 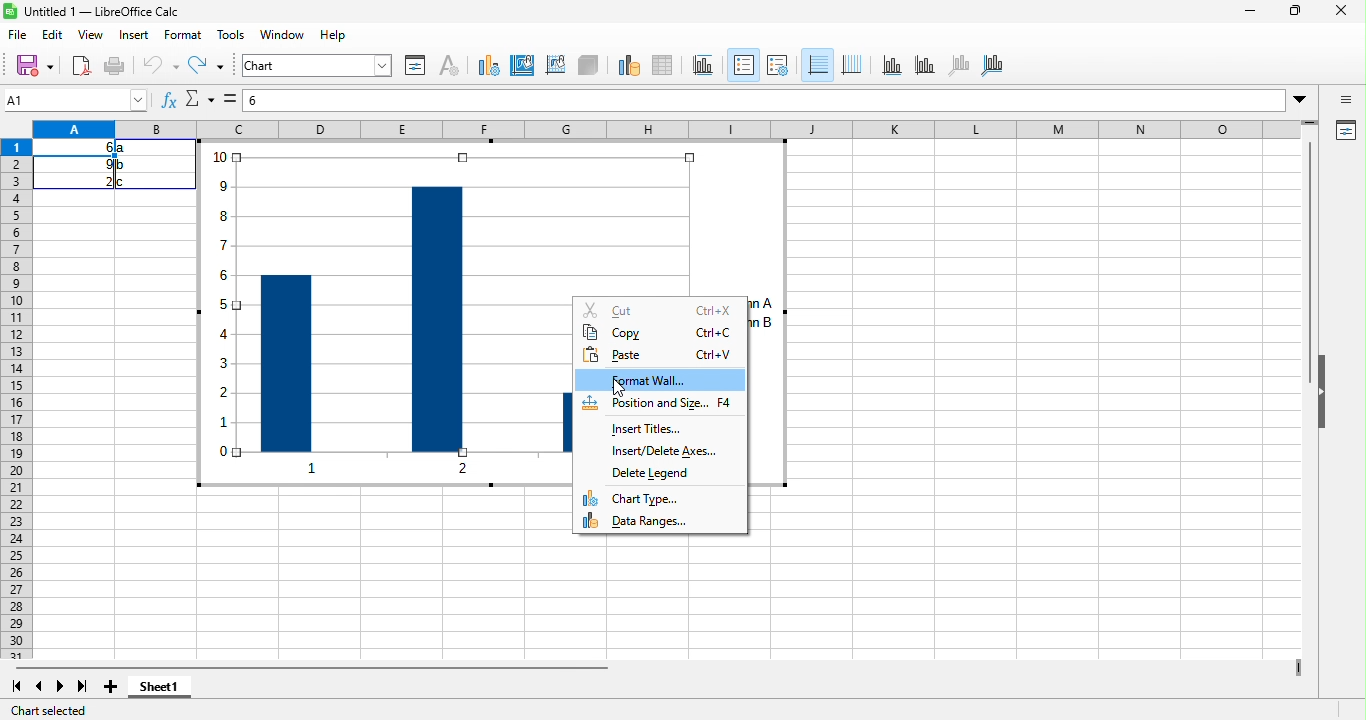 I want to click on formula bar, so click(x=779, y=98).